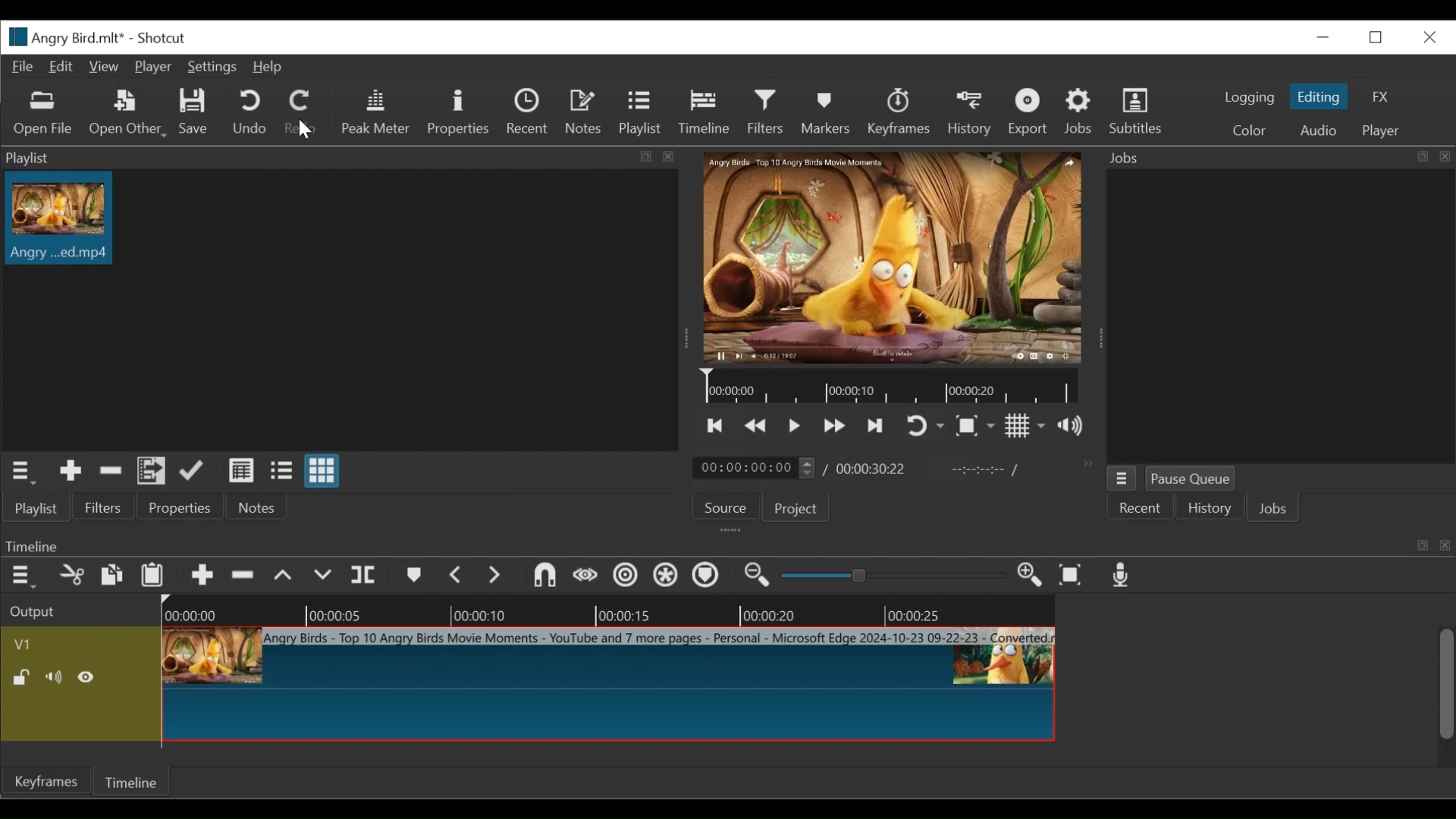 This screenshot has height=819, width=1456. What do you see at coordinates (925, 427) in the screenshot?
I see `Toggle player looping` at bounding box center [925, 427].